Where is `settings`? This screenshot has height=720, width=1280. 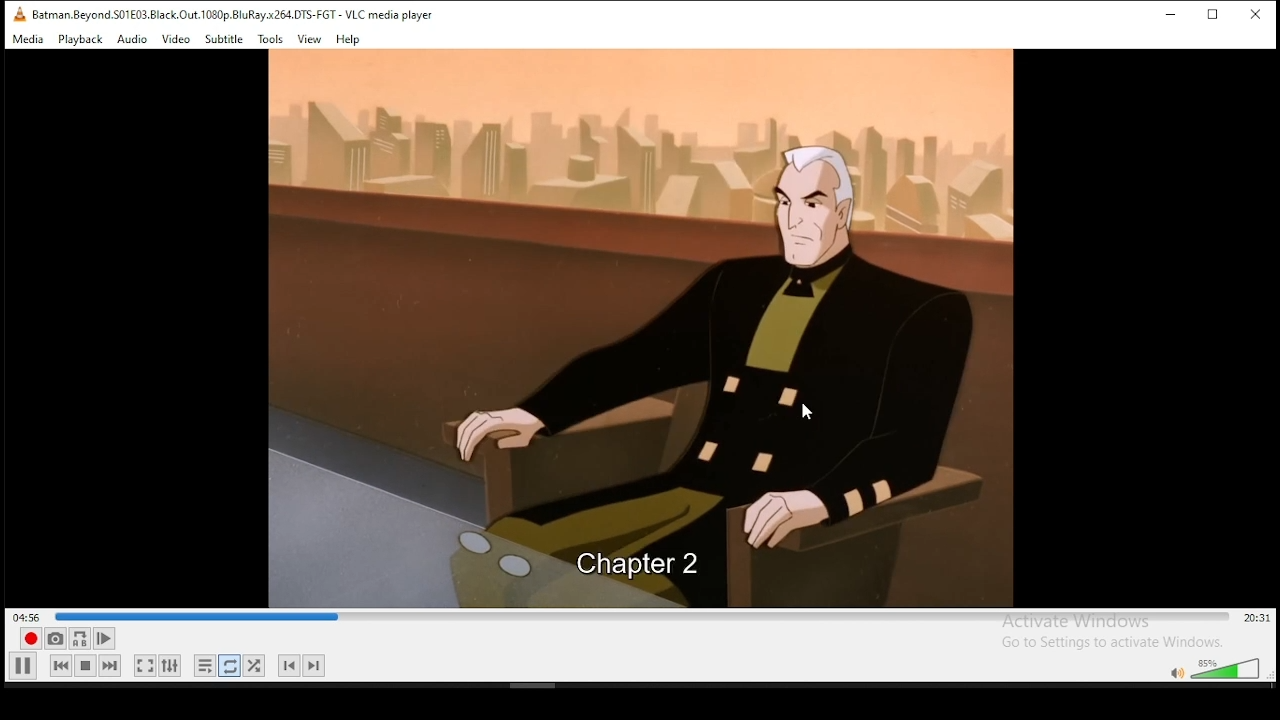
settings is located at coordinates (175, 665).